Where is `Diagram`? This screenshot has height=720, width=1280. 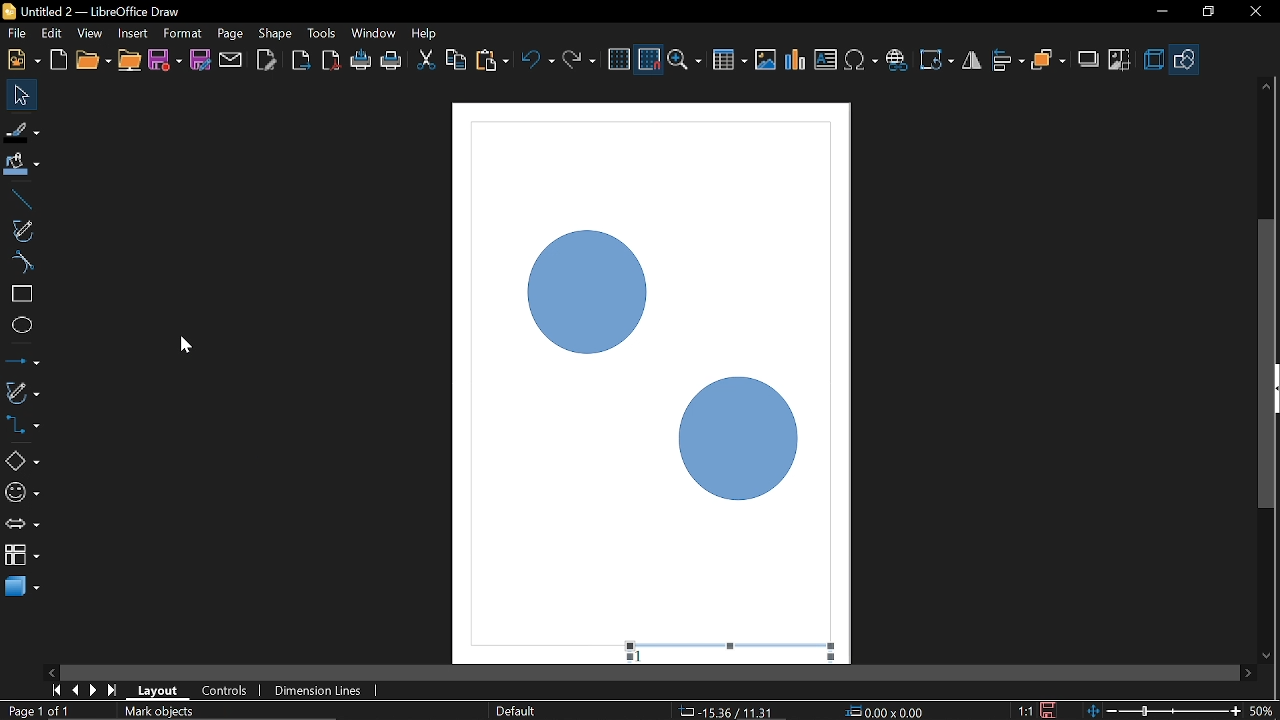
Diagram is located at coordinates (796, 60).